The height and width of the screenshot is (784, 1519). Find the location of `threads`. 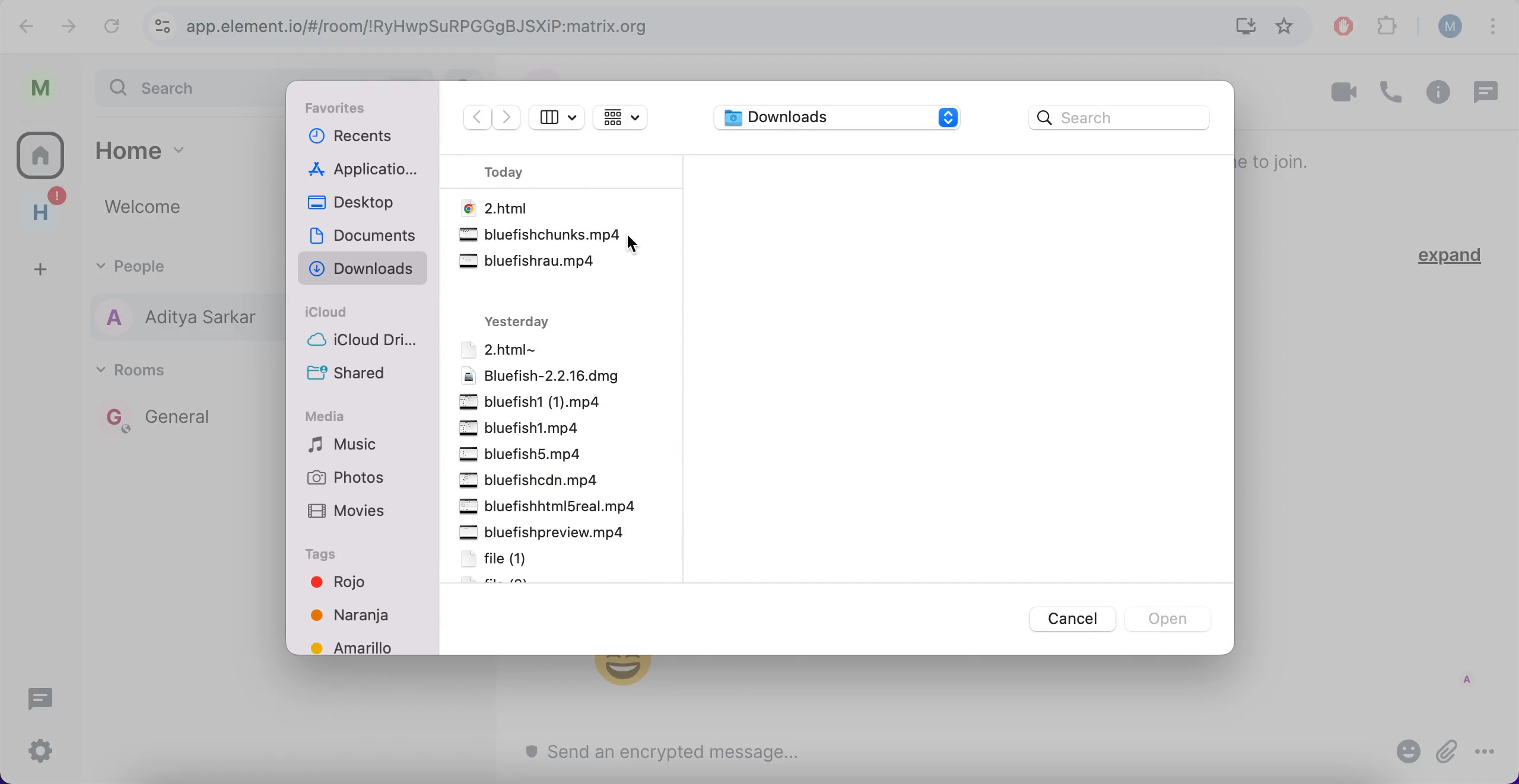

threads is located at coordinates (37, 696).